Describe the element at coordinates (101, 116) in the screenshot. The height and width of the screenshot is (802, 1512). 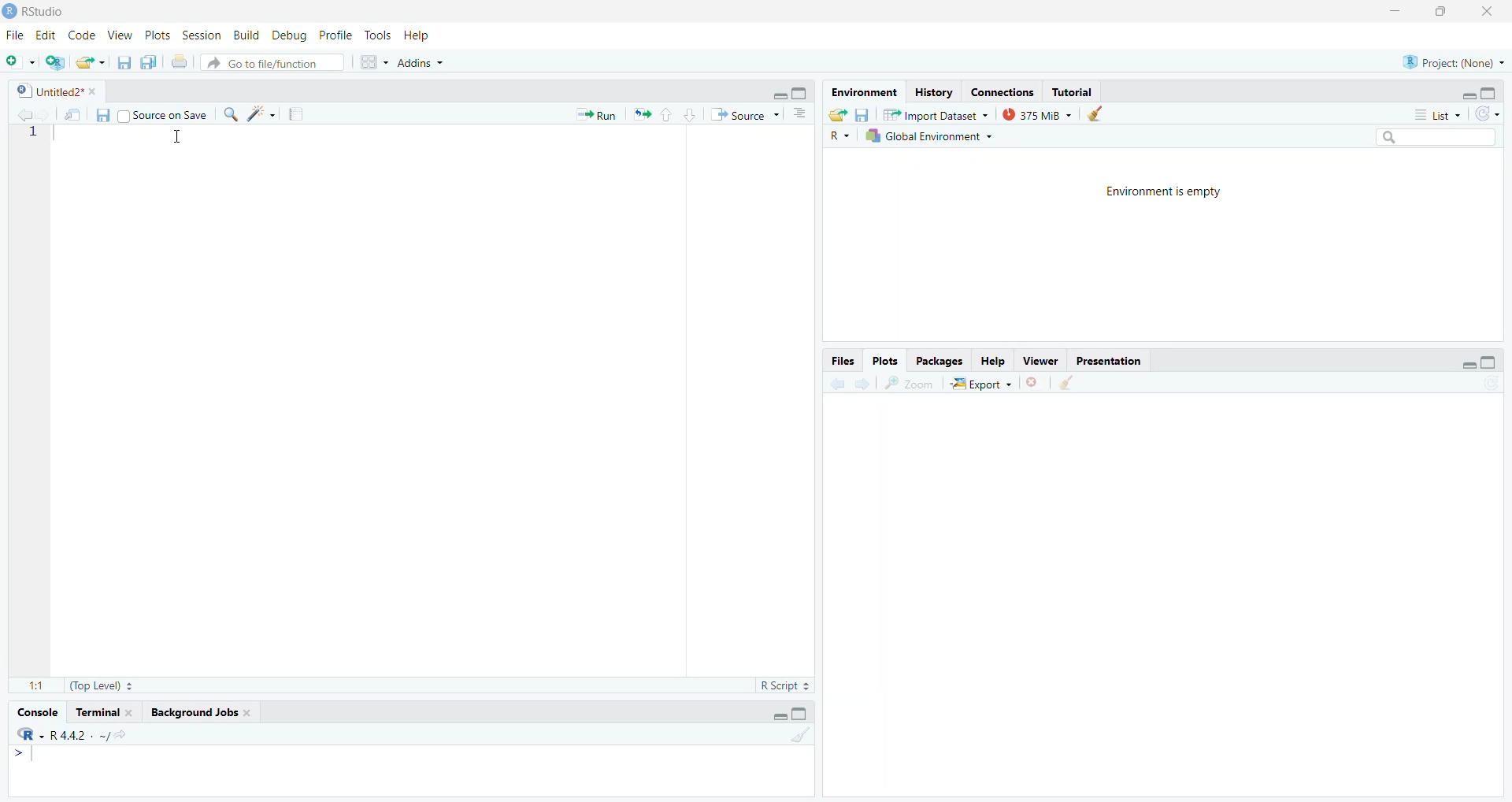
I see `save current document` at that location.